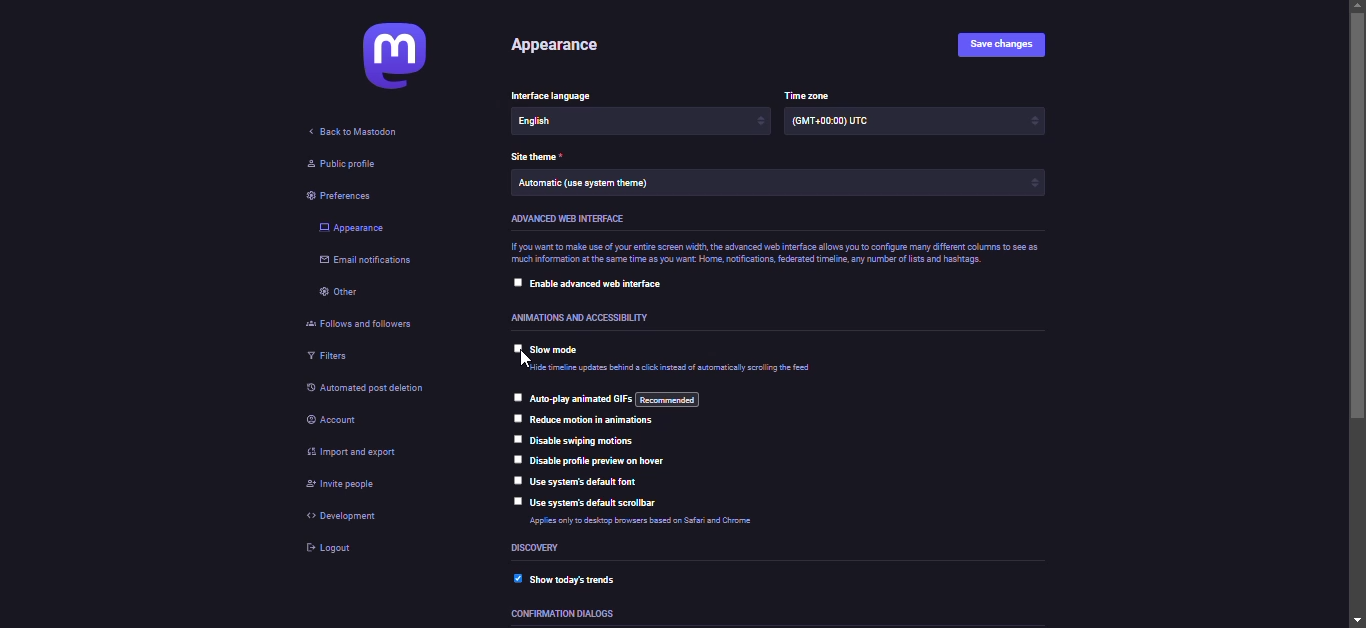 The image size is (1366, 628). What do you see at coordinates (337, 420) in the screenshot?
I see `account` at bounding box center [337, 420].